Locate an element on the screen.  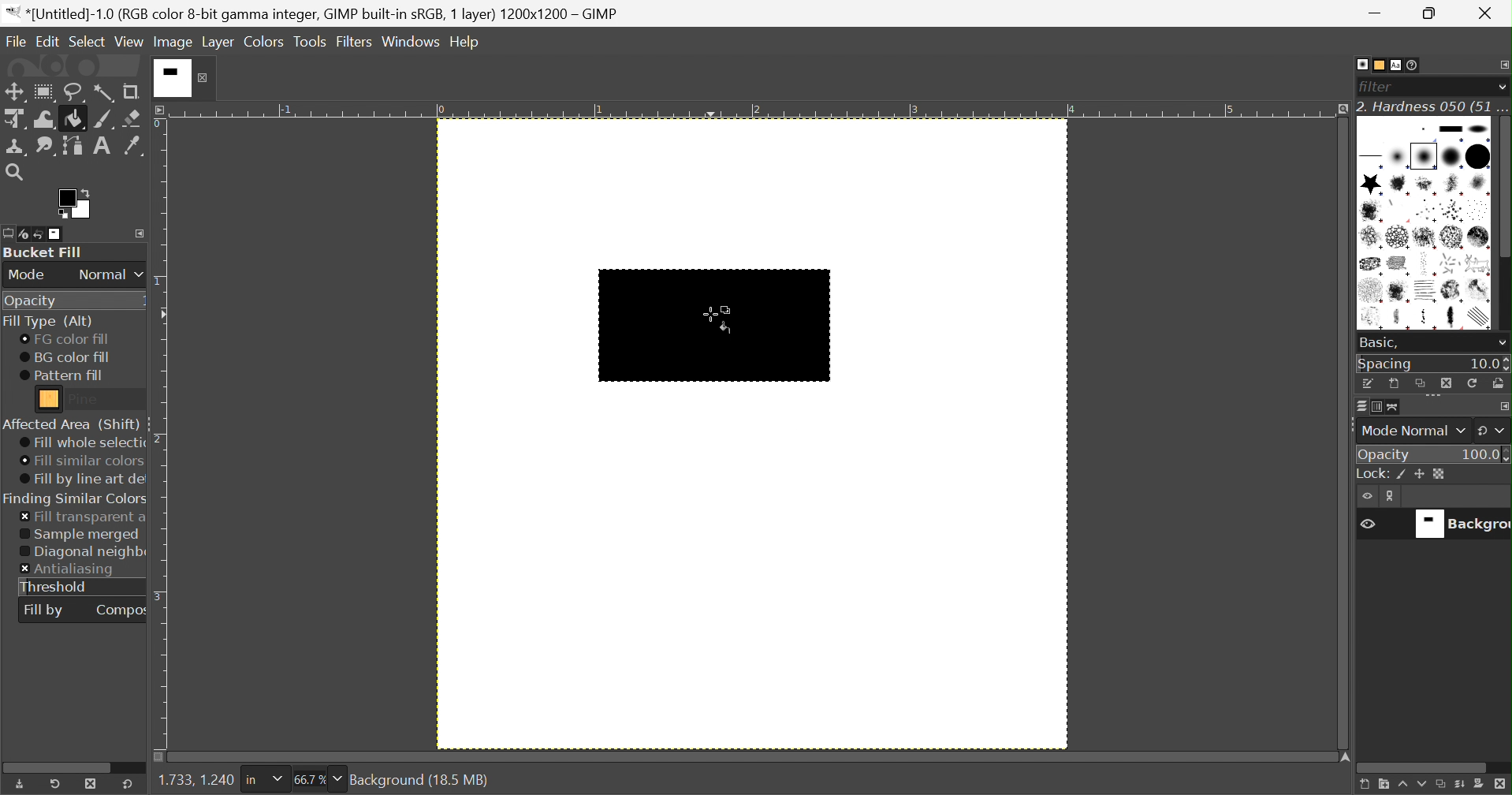
Acrylic is located at coordinates (1401, 185).